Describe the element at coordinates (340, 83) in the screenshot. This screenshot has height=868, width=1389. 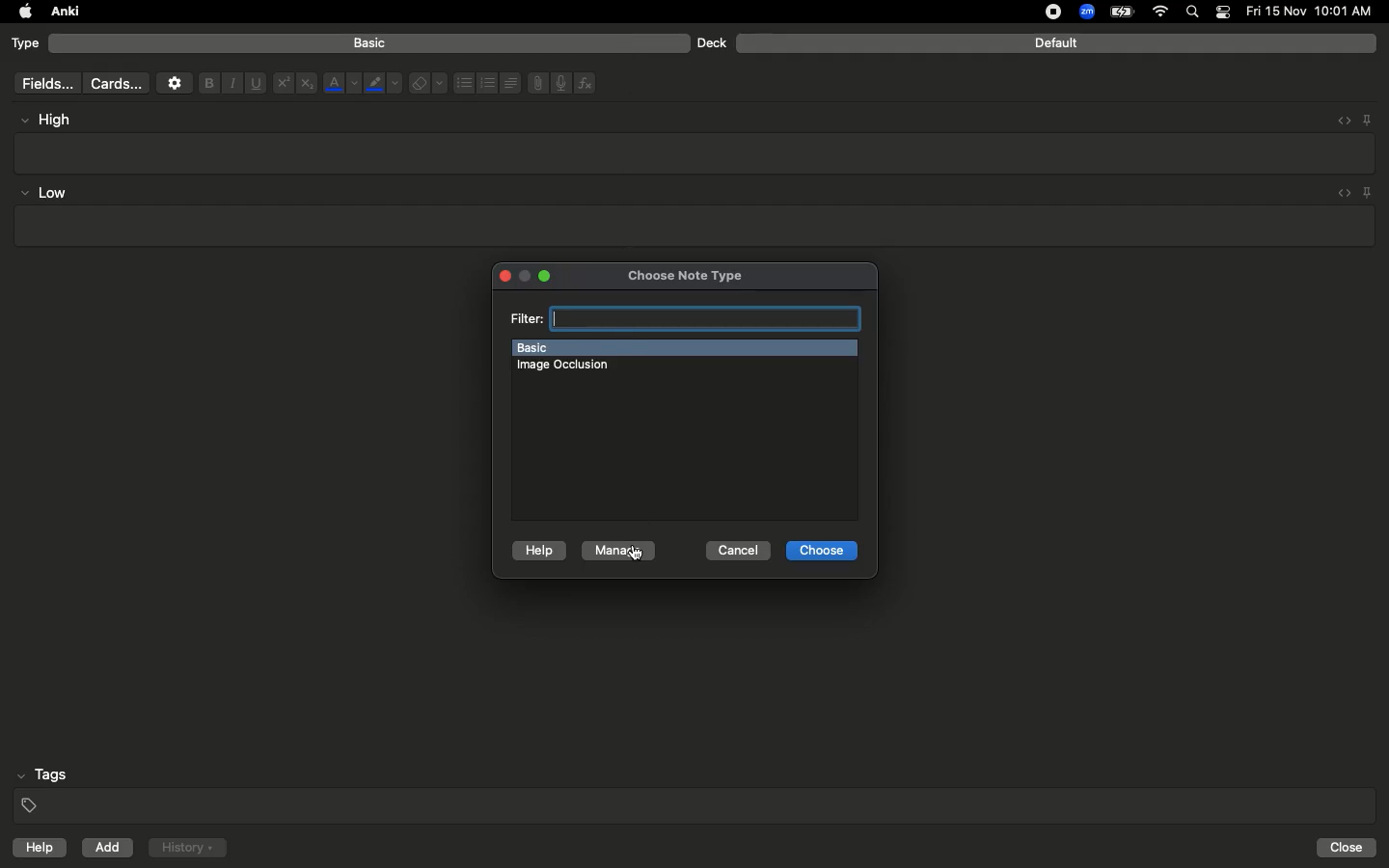
I see `Font color` at that location.